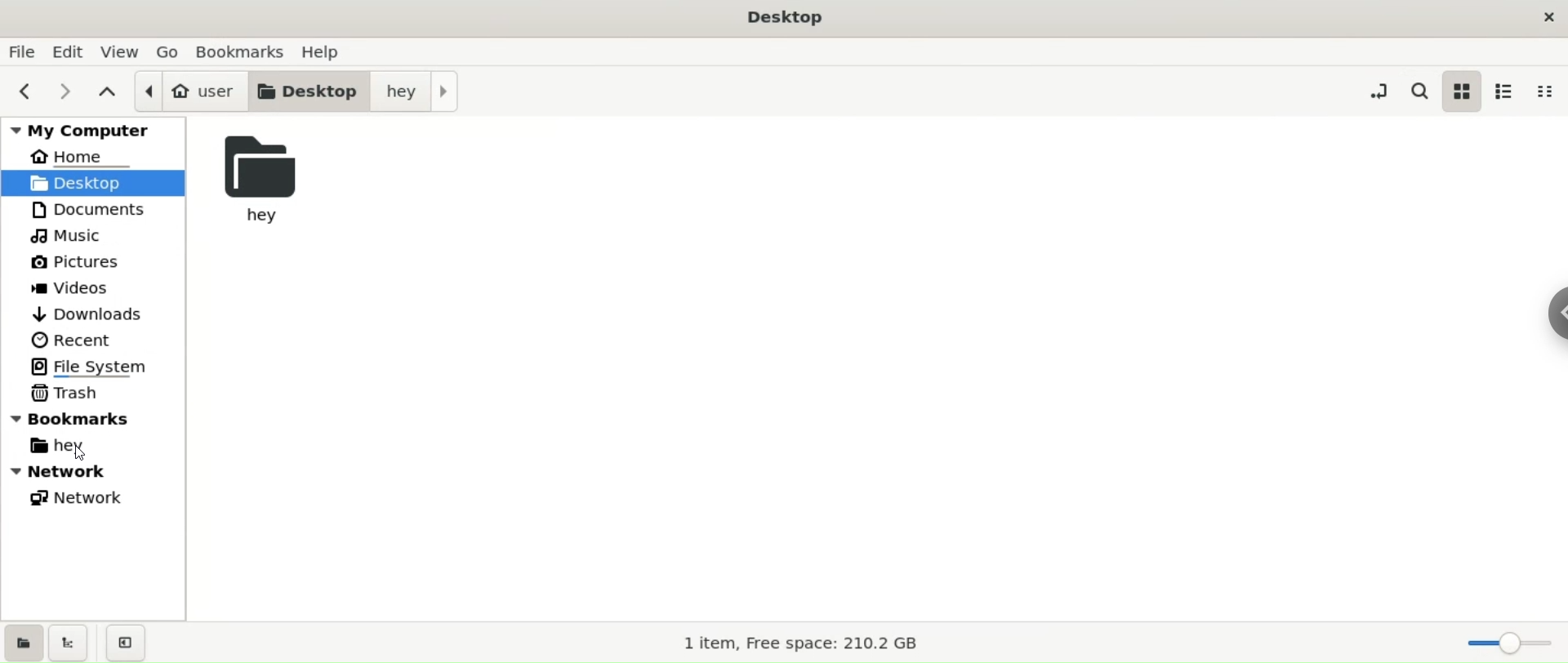 The height and width of the screenshot is (663, 1568). Describe the element at coordinates (188, 90) in the screenshot. I see `user` at that location.